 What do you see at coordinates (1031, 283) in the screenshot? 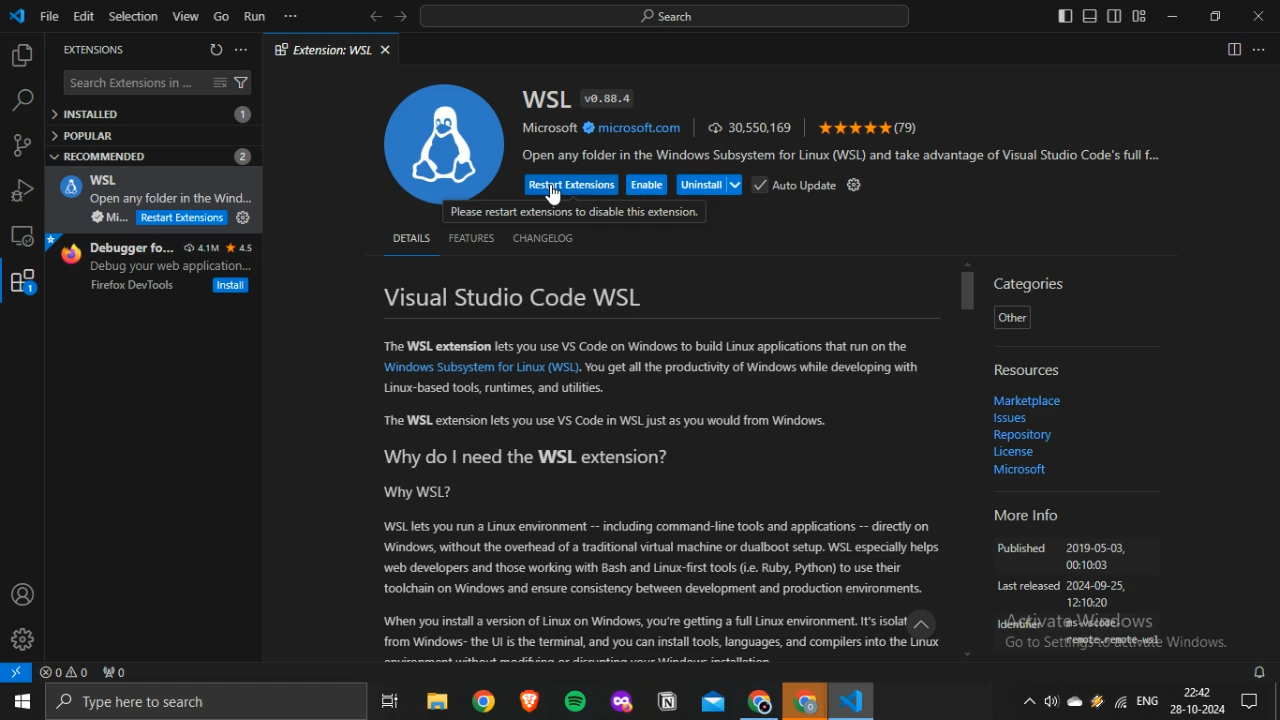
I see `Categories` at bounding box center [1031, 283].